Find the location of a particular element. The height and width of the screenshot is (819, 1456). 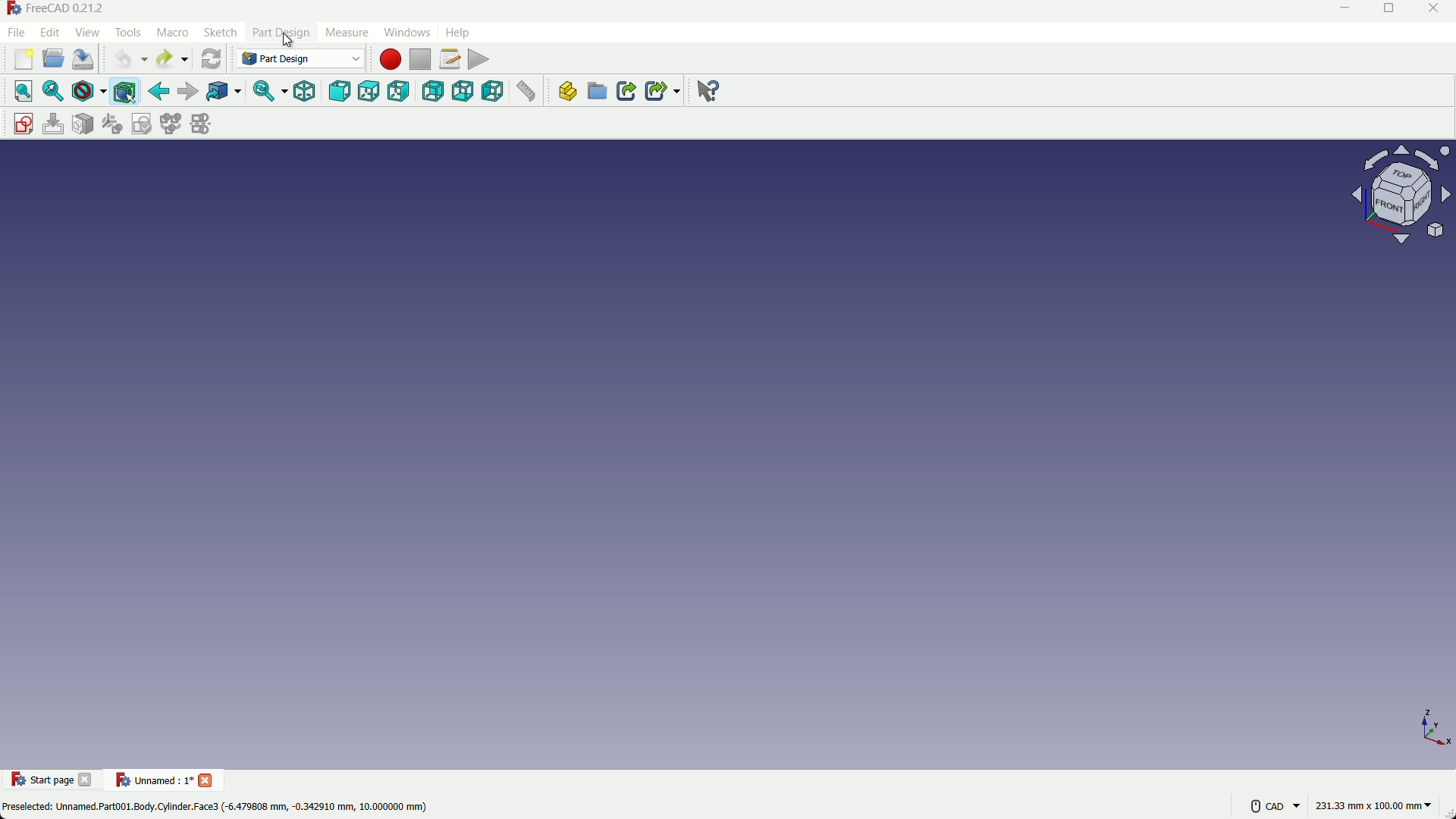

stop macros is located at coordinates (422, 60).